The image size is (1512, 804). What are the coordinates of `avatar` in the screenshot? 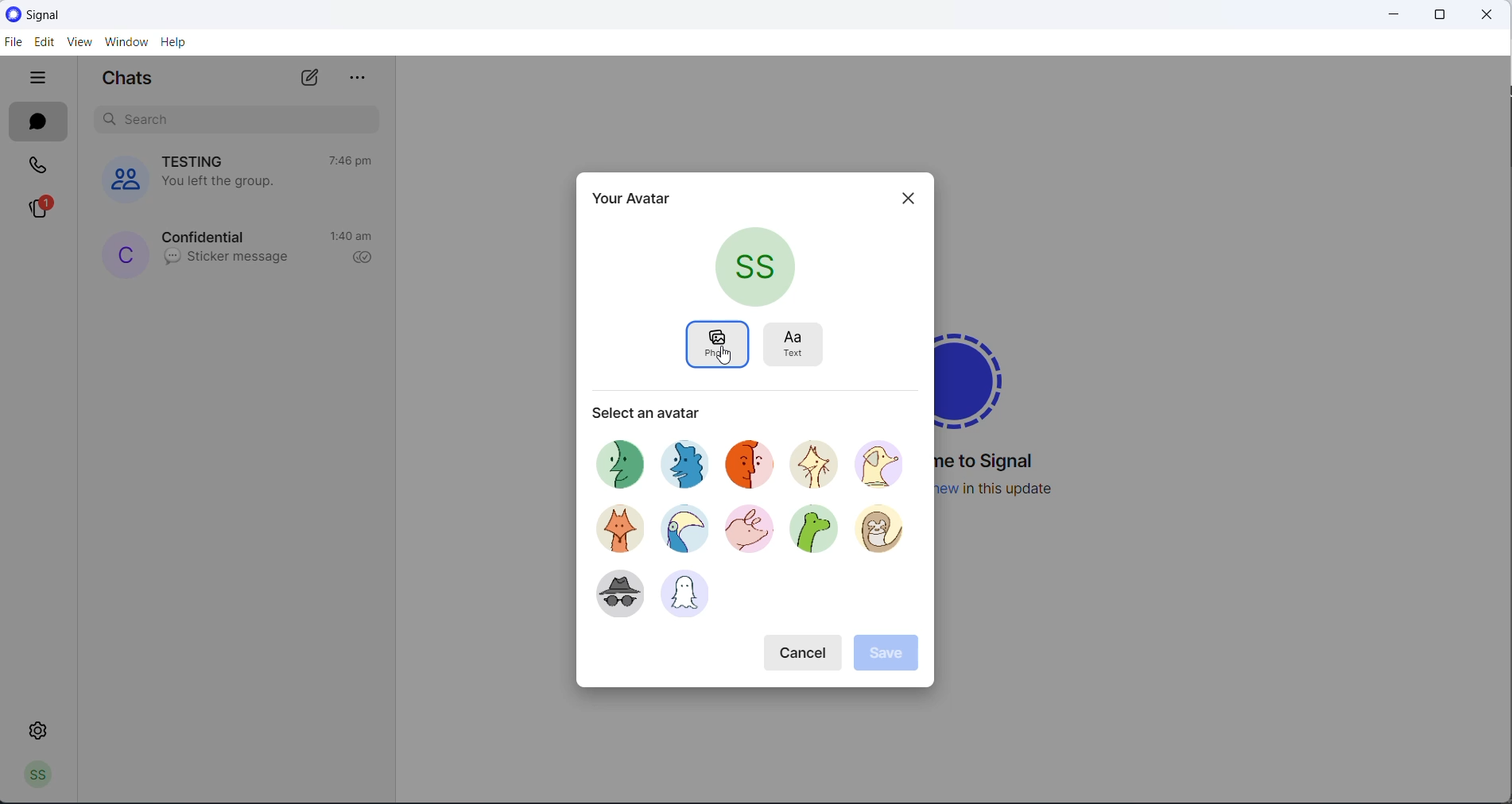 It's located at (690, 460).